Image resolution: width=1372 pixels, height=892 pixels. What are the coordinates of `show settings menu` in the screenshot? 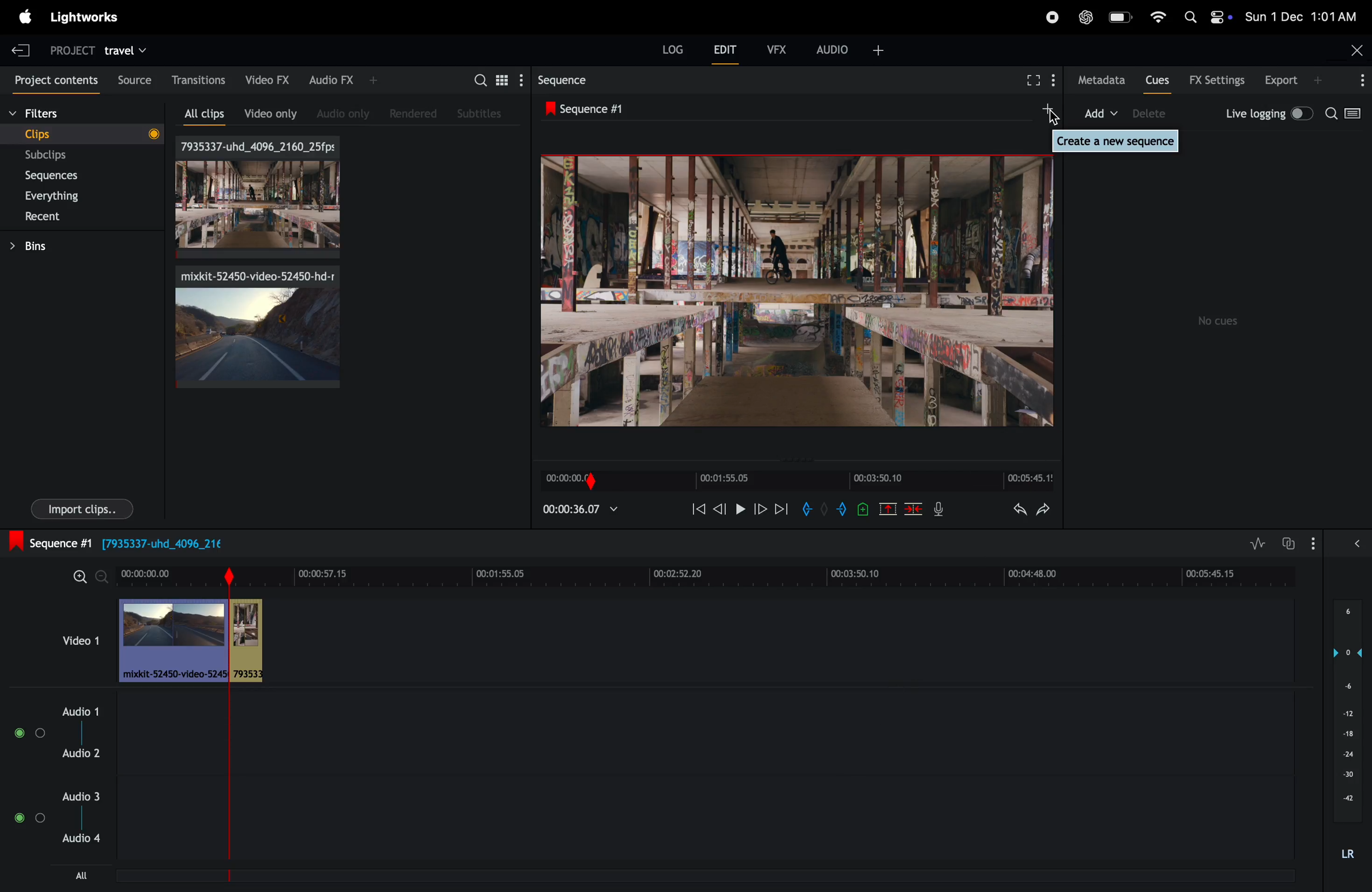 It's located at (1316, 543).